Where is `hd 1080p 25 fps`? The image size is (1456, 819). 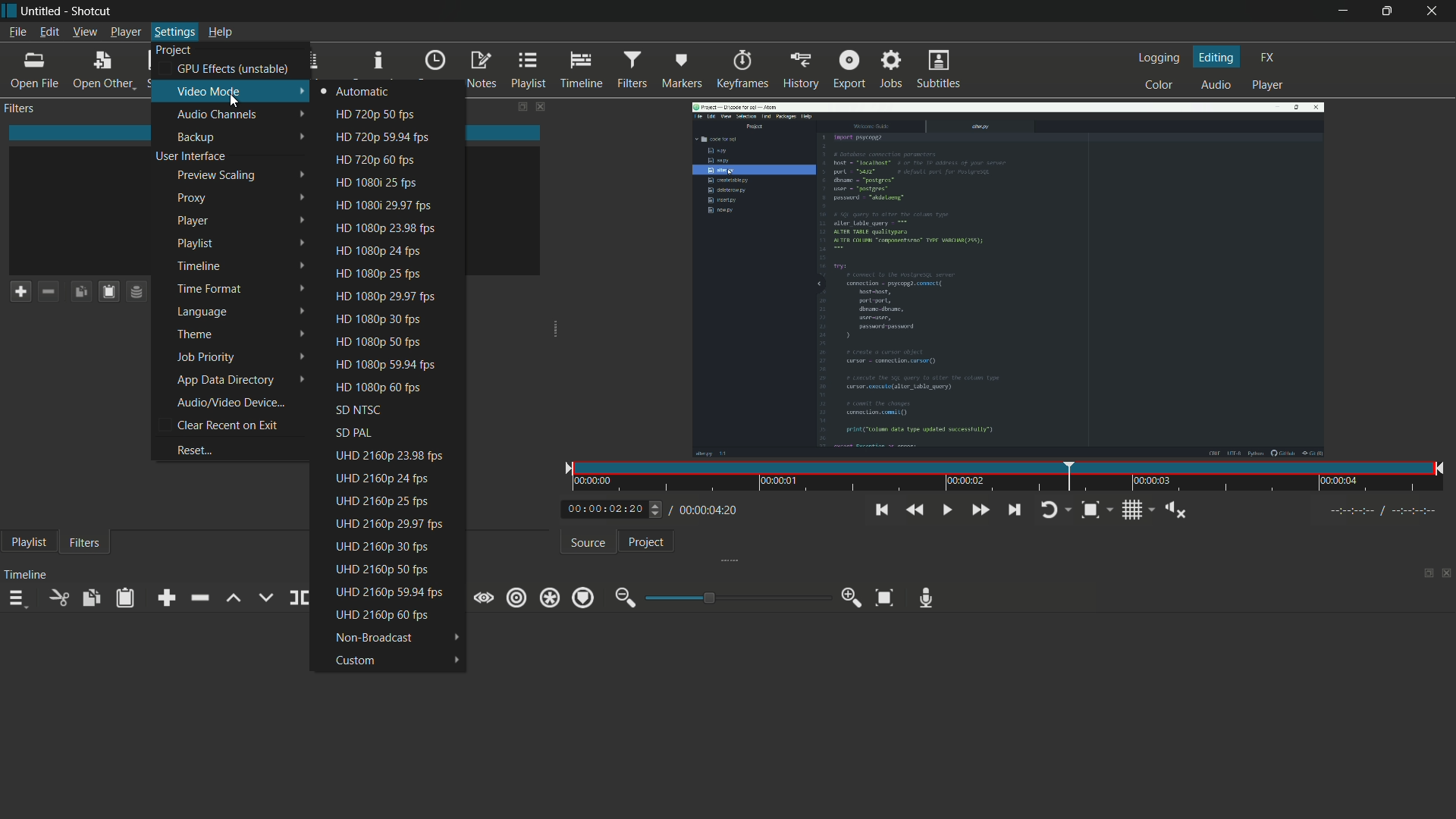 hd 1080p 25 fps is located at coordinates (397, 272).